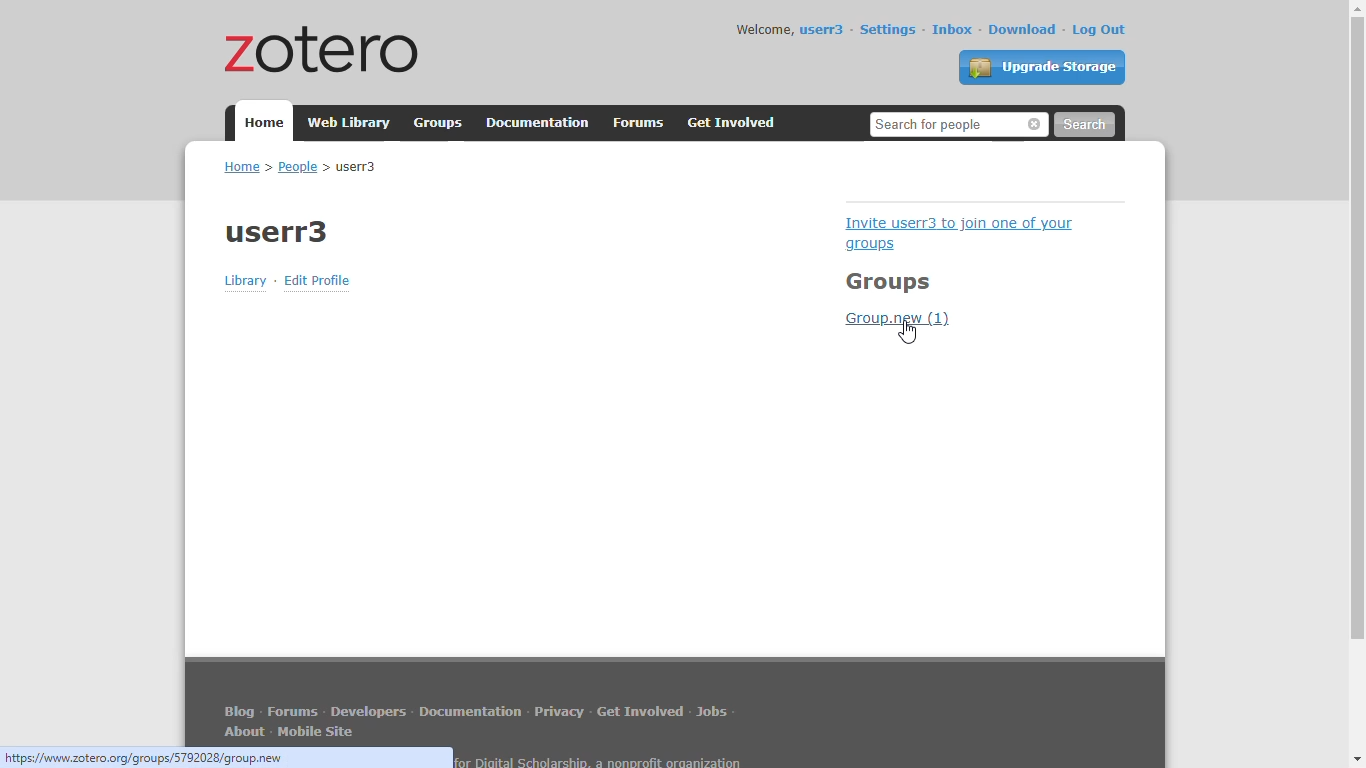 Image resolution: width=1366 pixels, height=768 pixels. What do you see at coordinates (318, 732) in the screenshot?
I see `mobile site` at bounding box center [318, 732].